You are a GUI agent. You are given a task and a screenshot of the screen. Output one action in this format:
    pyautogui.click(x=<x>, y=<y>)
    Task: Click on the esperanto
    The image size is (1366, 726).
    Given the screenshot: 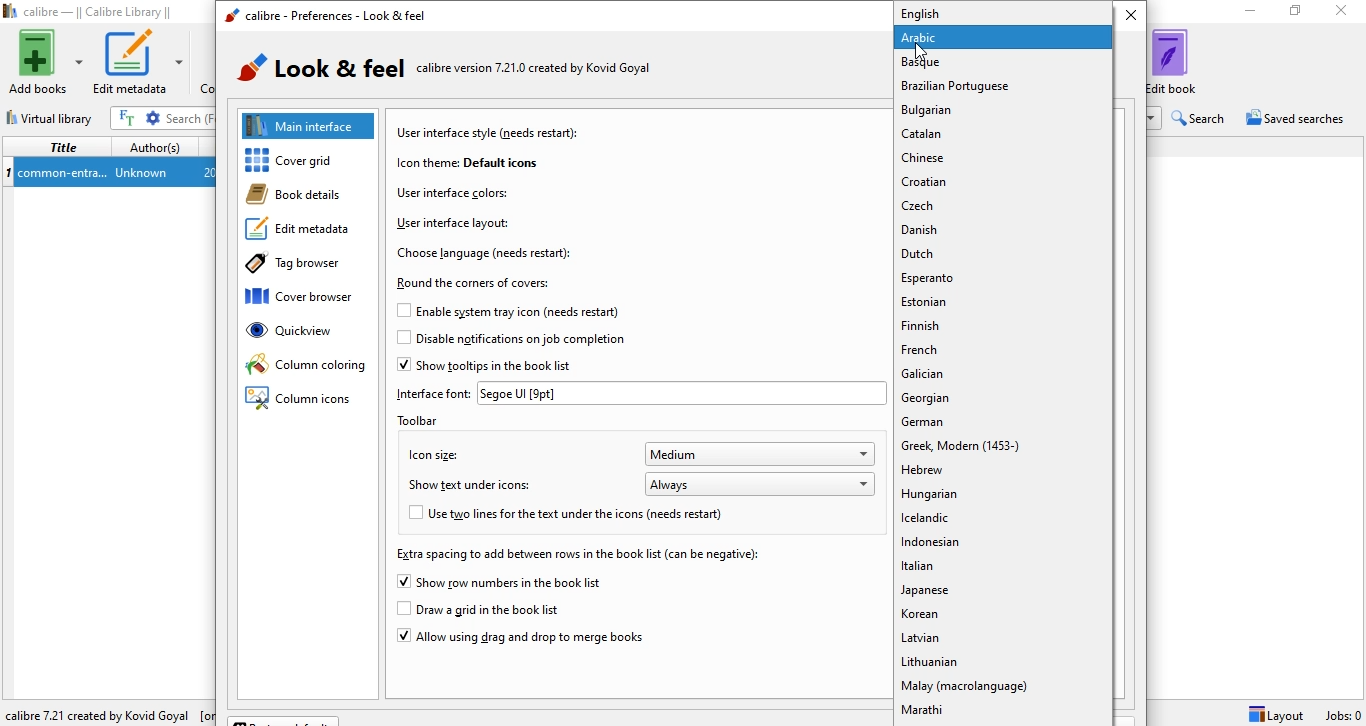 What is the action you would take?
    pyautogui.click(x=1001, y=278)
    